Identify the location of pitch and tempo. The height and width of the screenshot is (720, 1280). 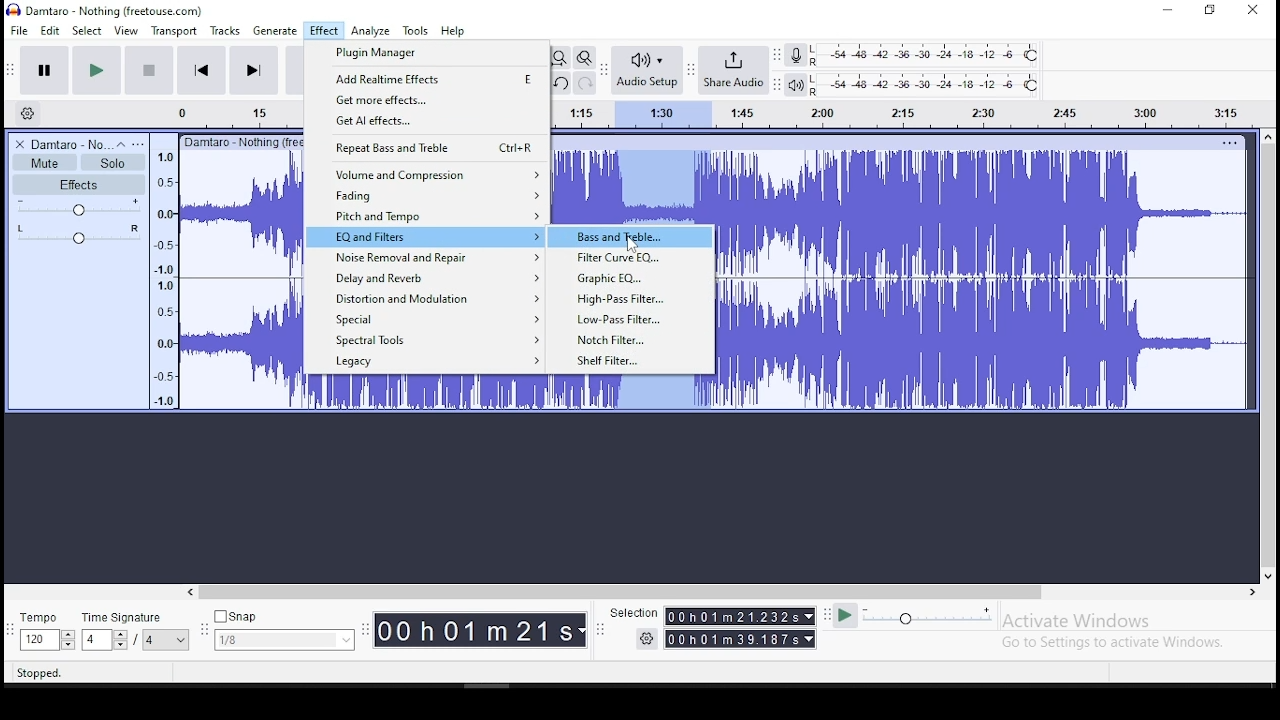
(425, 215).